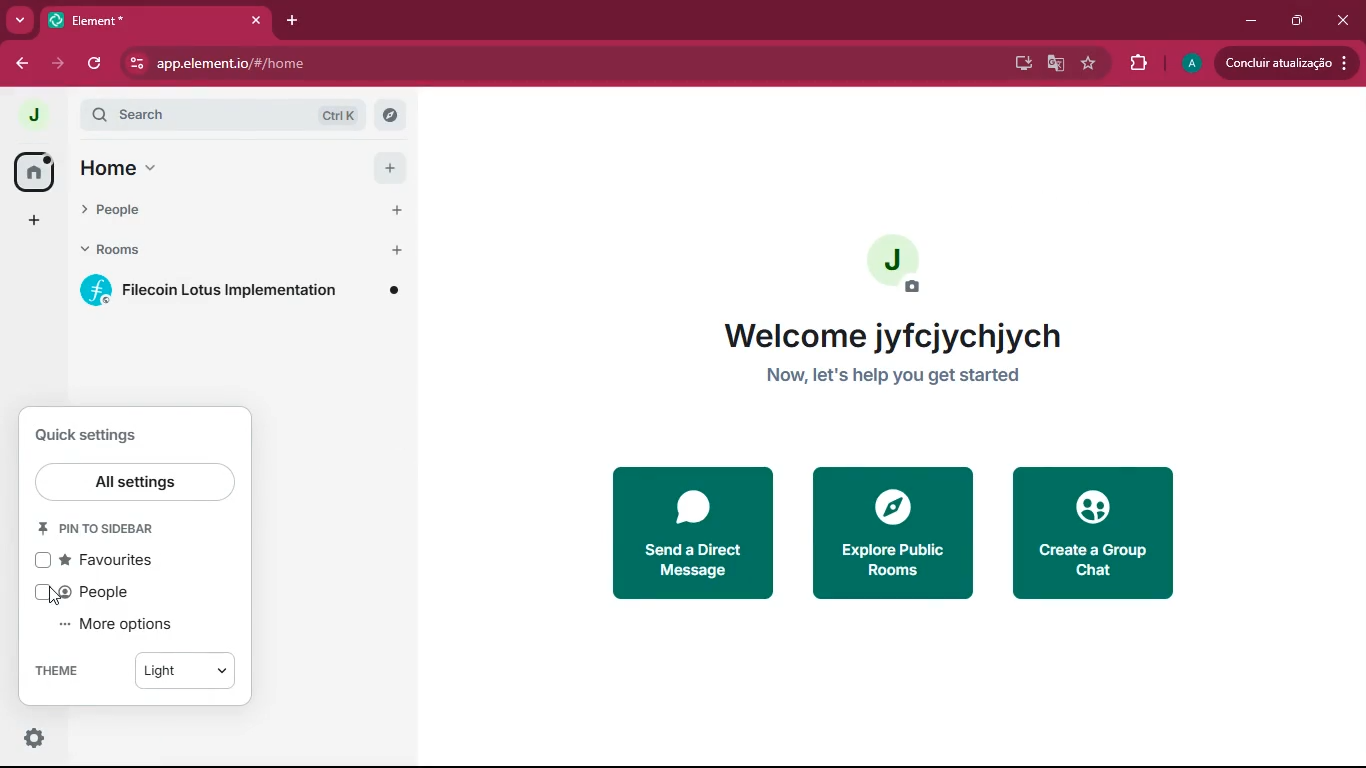 The width and height of the screenshot is (1366, 768). Describe the element at coordinates (108, 434) in the screenshot. I see `quick settings` at that location.